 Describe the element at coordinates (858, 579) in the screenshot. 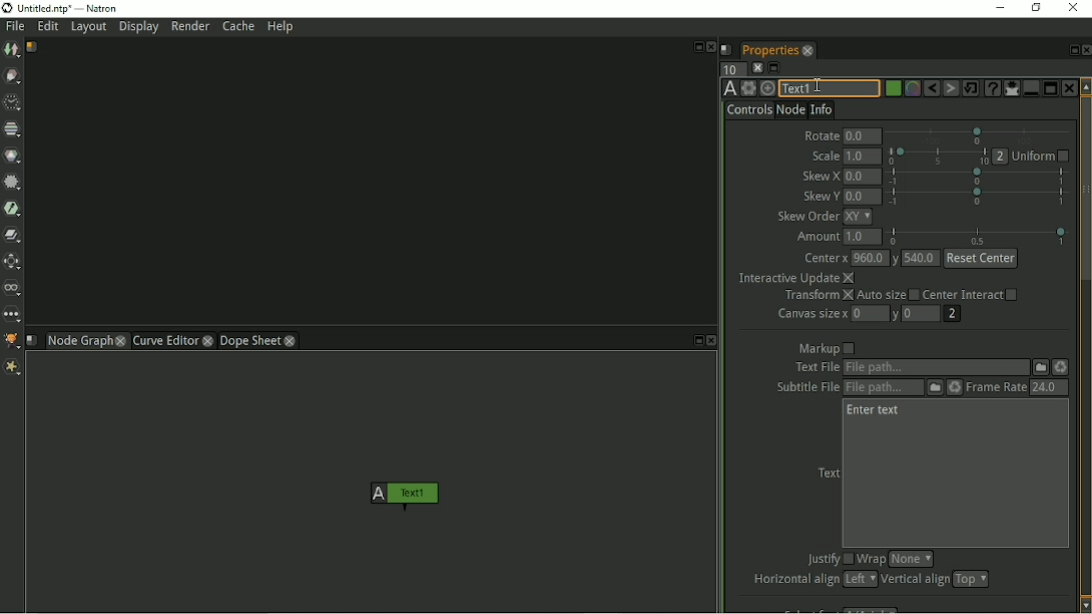

I see `left` at that location.